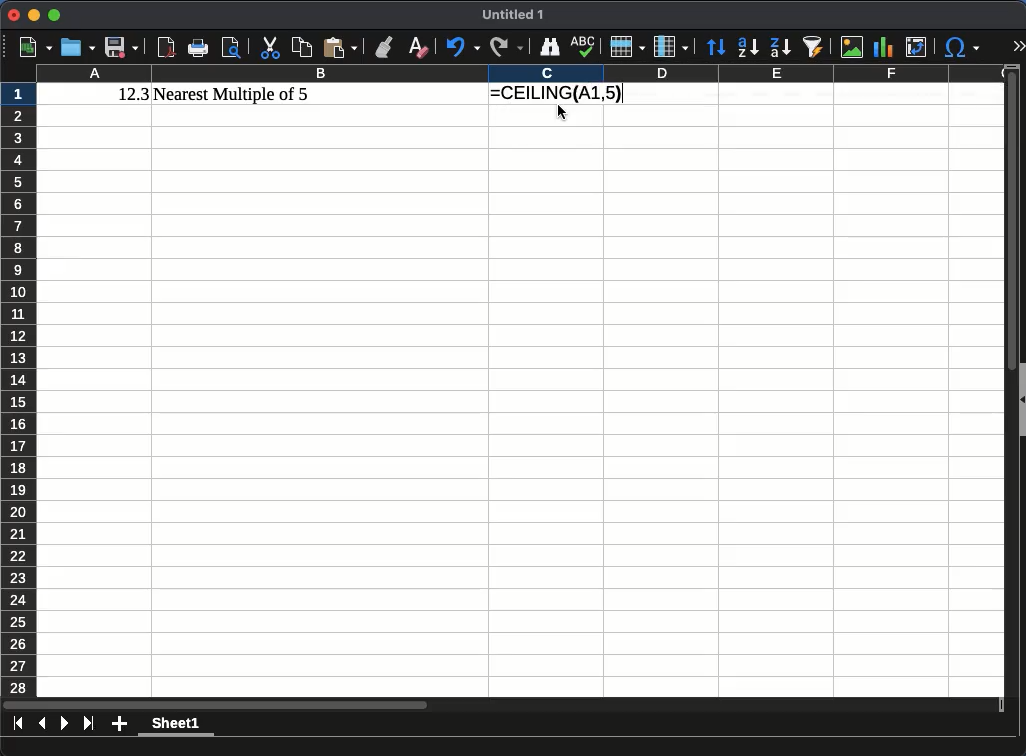 The width and height of the screenshot is (1026, 756). What do you see at coordinates (669, 47) in the screenshot?
I see `column` at bounding box center [669, 47].